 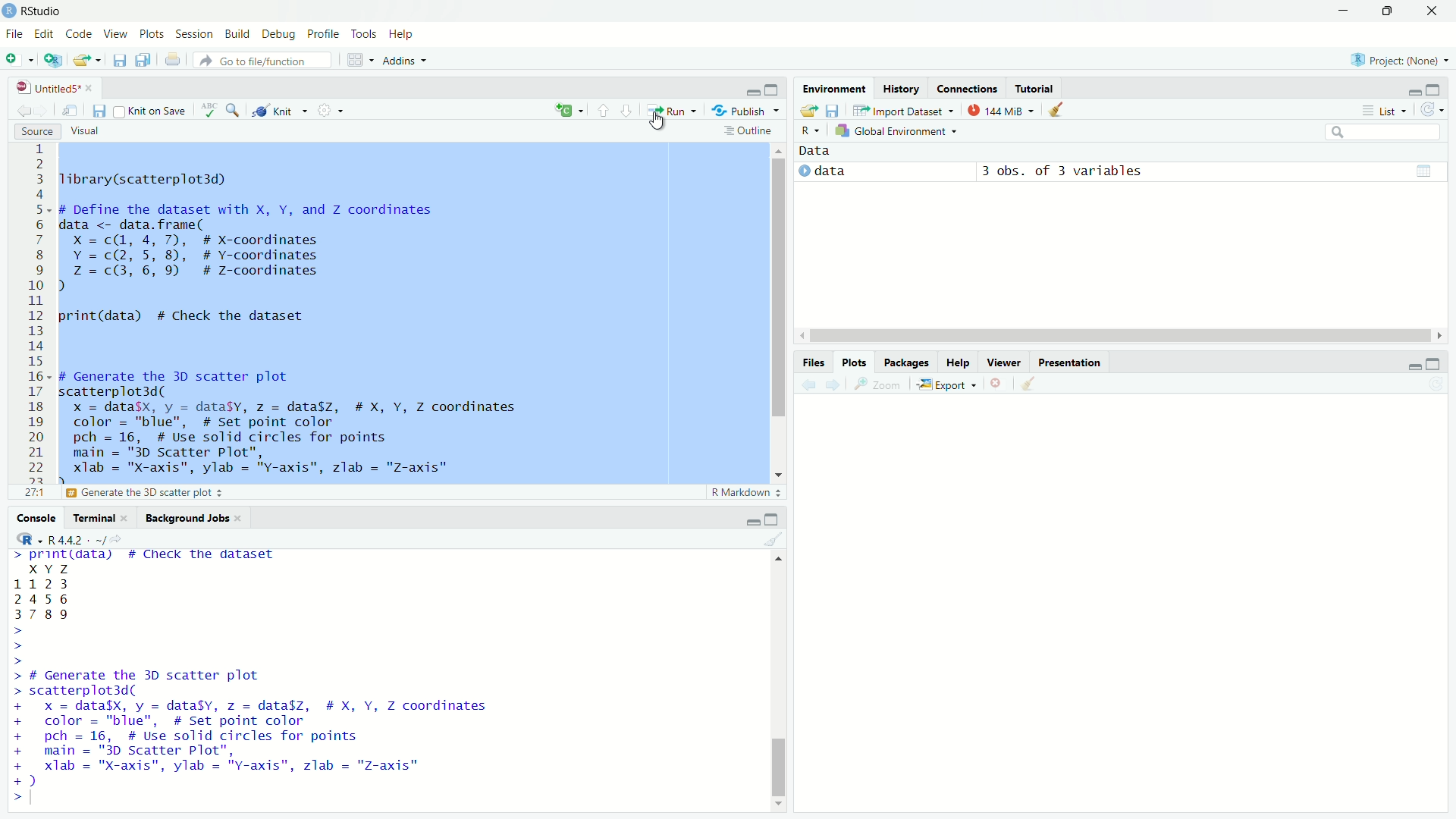 What do you see at coordinates (208, 111) in the screenshot?
I see `spell check` at bounding box center [208, 111].